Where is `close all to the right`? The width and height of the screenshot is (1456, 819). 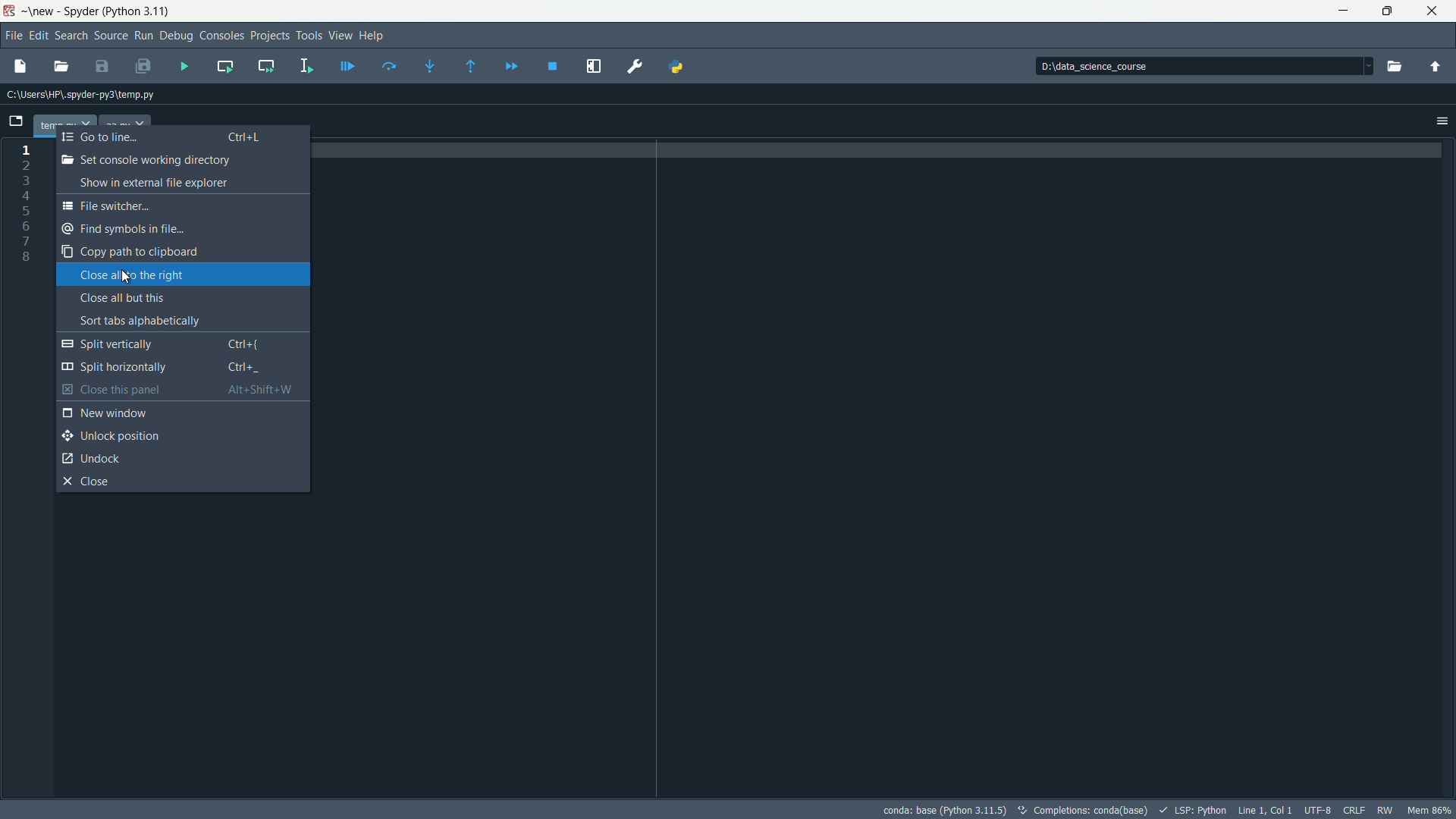
close all to the right is located at coordinates (130, 275).